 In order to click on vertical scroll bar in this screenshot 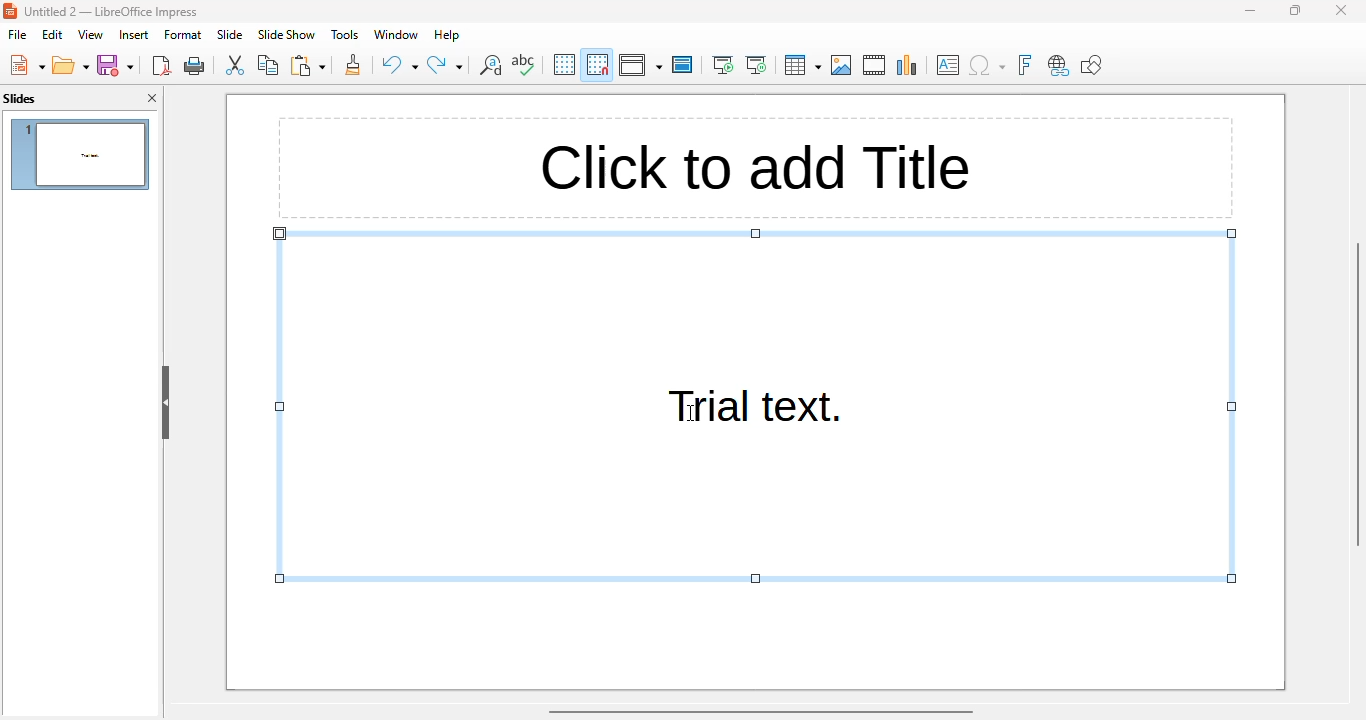, I will do `click(1357, 392)`.